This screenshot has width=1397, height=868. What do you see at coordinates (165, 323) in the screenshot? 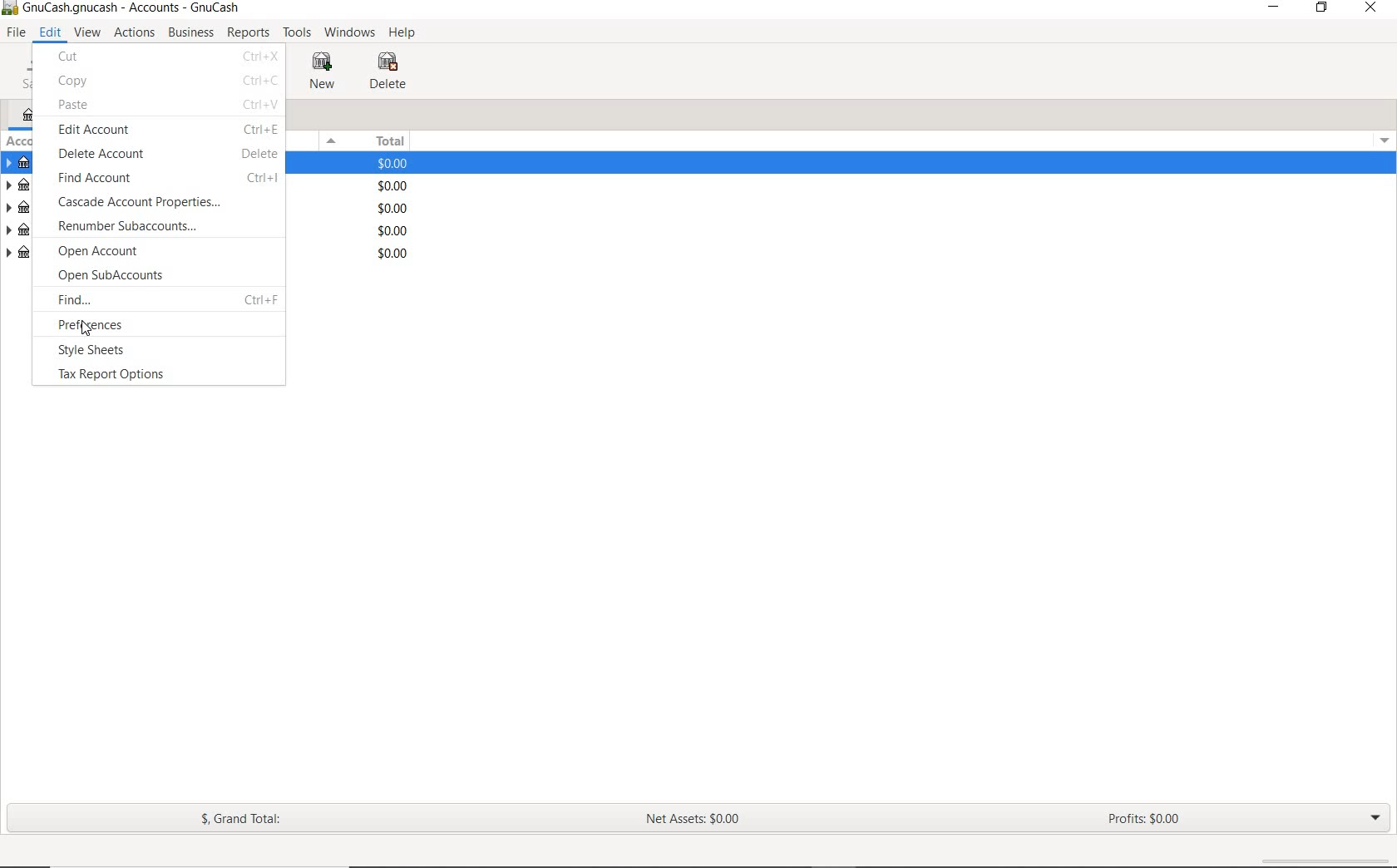
I see `PREFERENCES` at bounding box center [165, 323].